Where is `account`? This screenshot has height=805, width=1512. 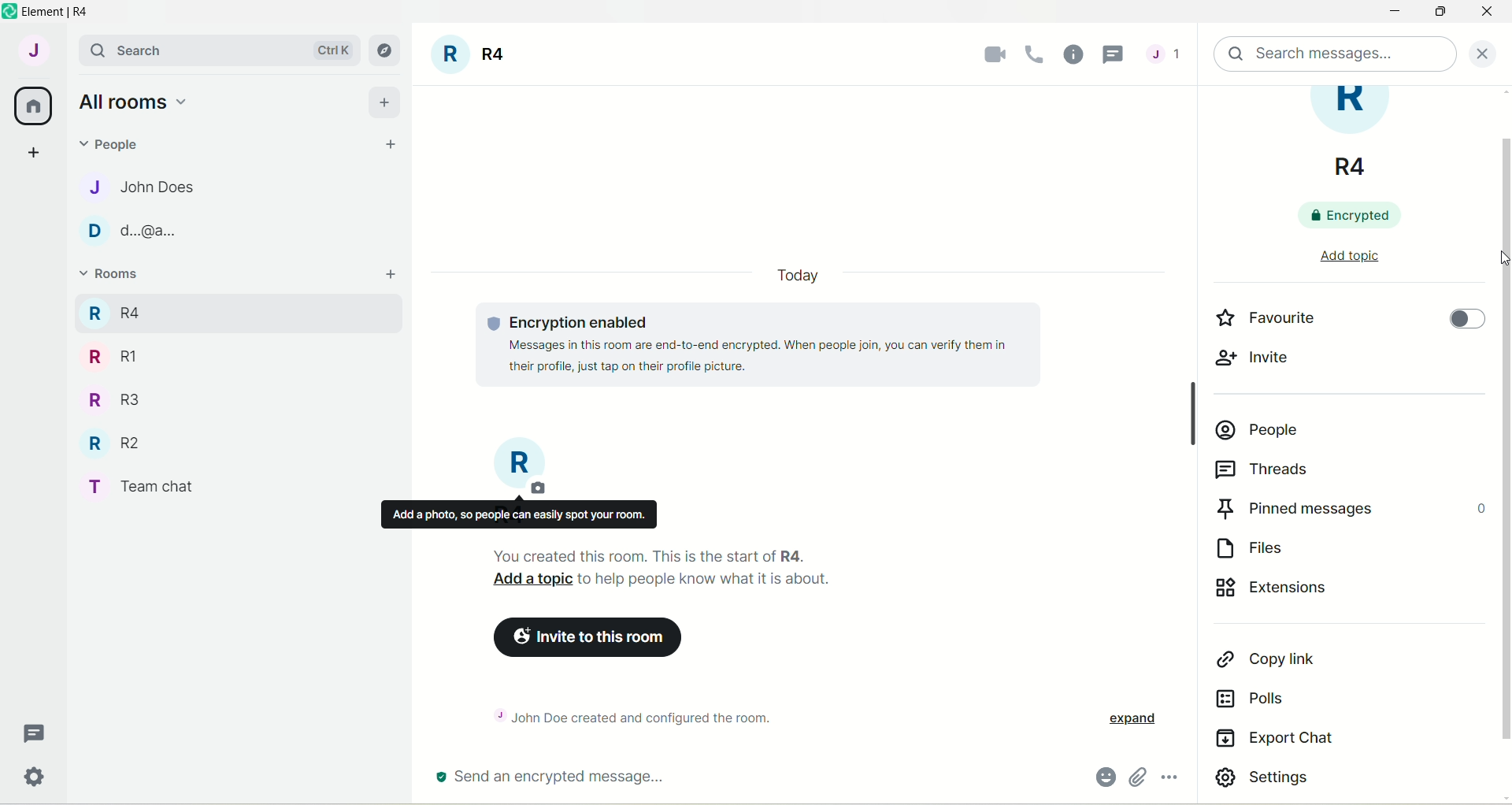
account is located at coordinates (32, 50).